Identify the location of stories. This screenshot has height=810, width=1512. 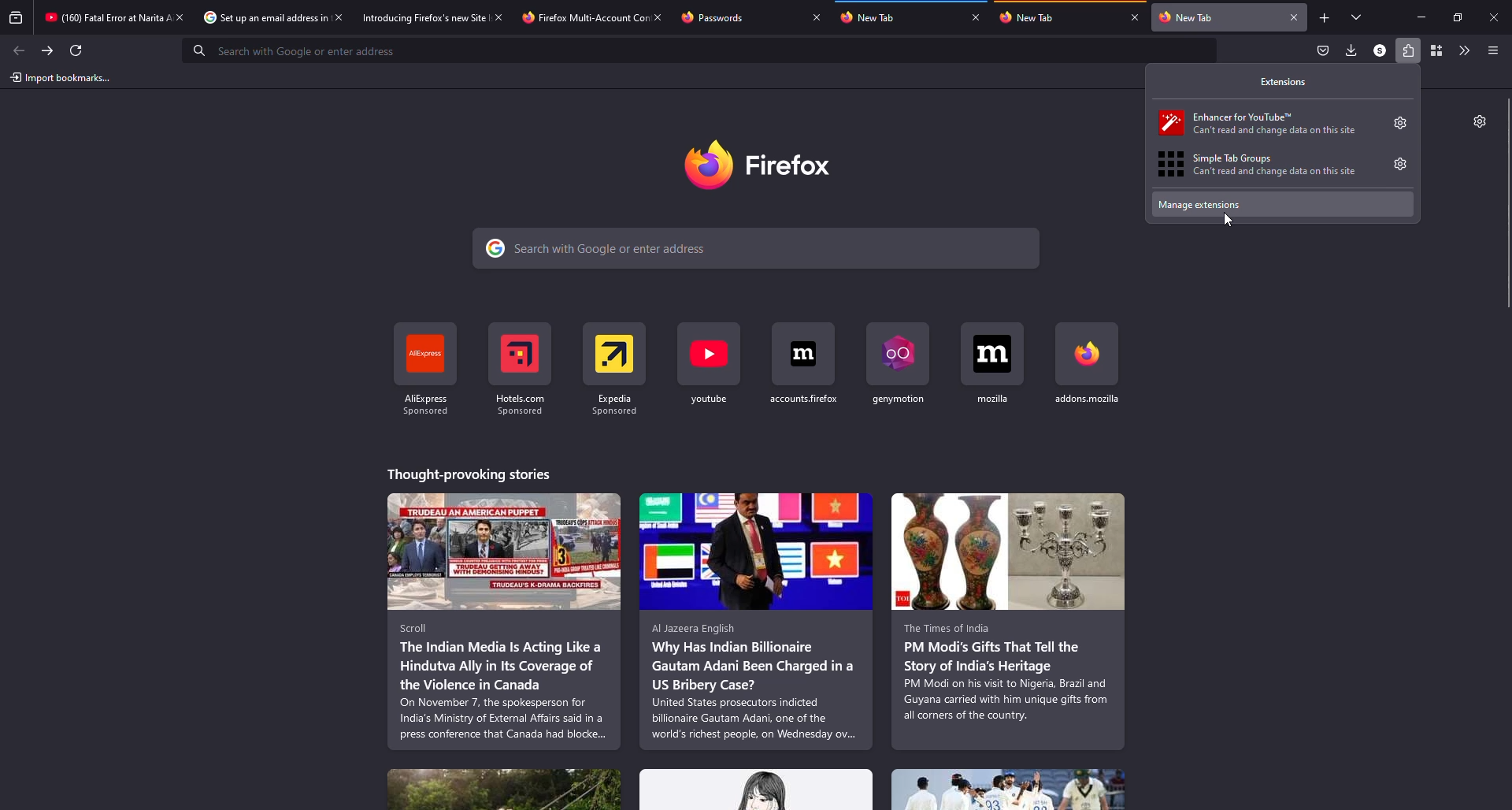
(504, 789).